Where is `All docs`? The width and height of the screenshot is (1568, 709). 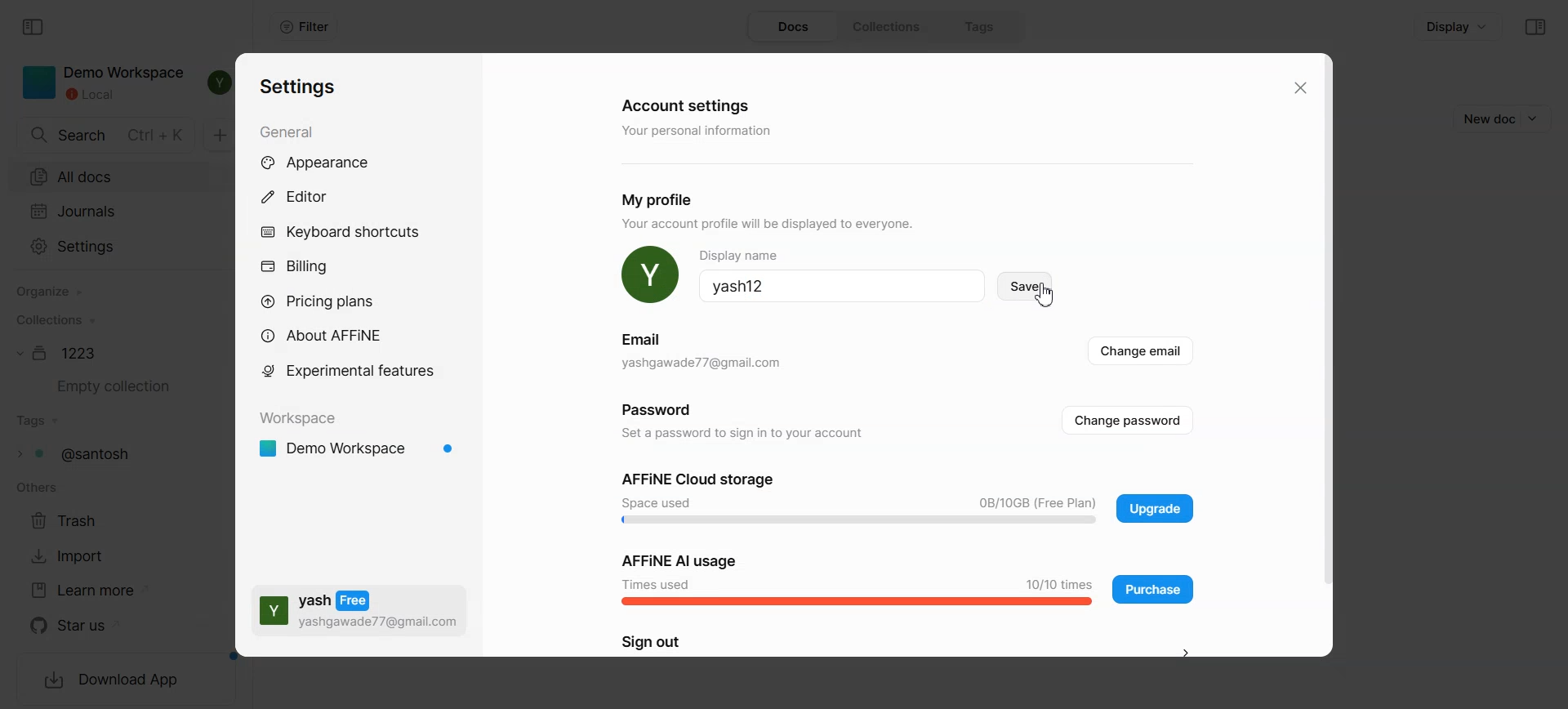 All docs is located at coordinates (110, 175).